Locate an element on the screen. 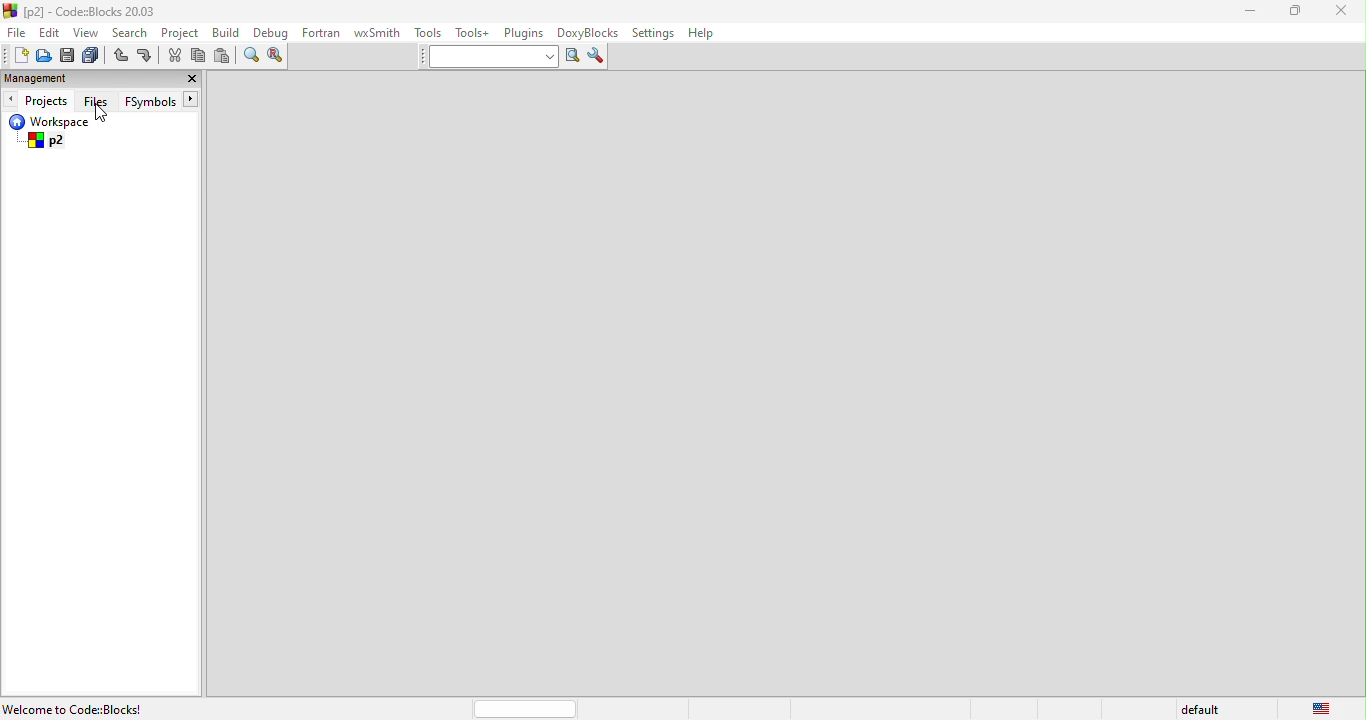 The image size is (1366, 720). close is located at coordinates (185, 80).